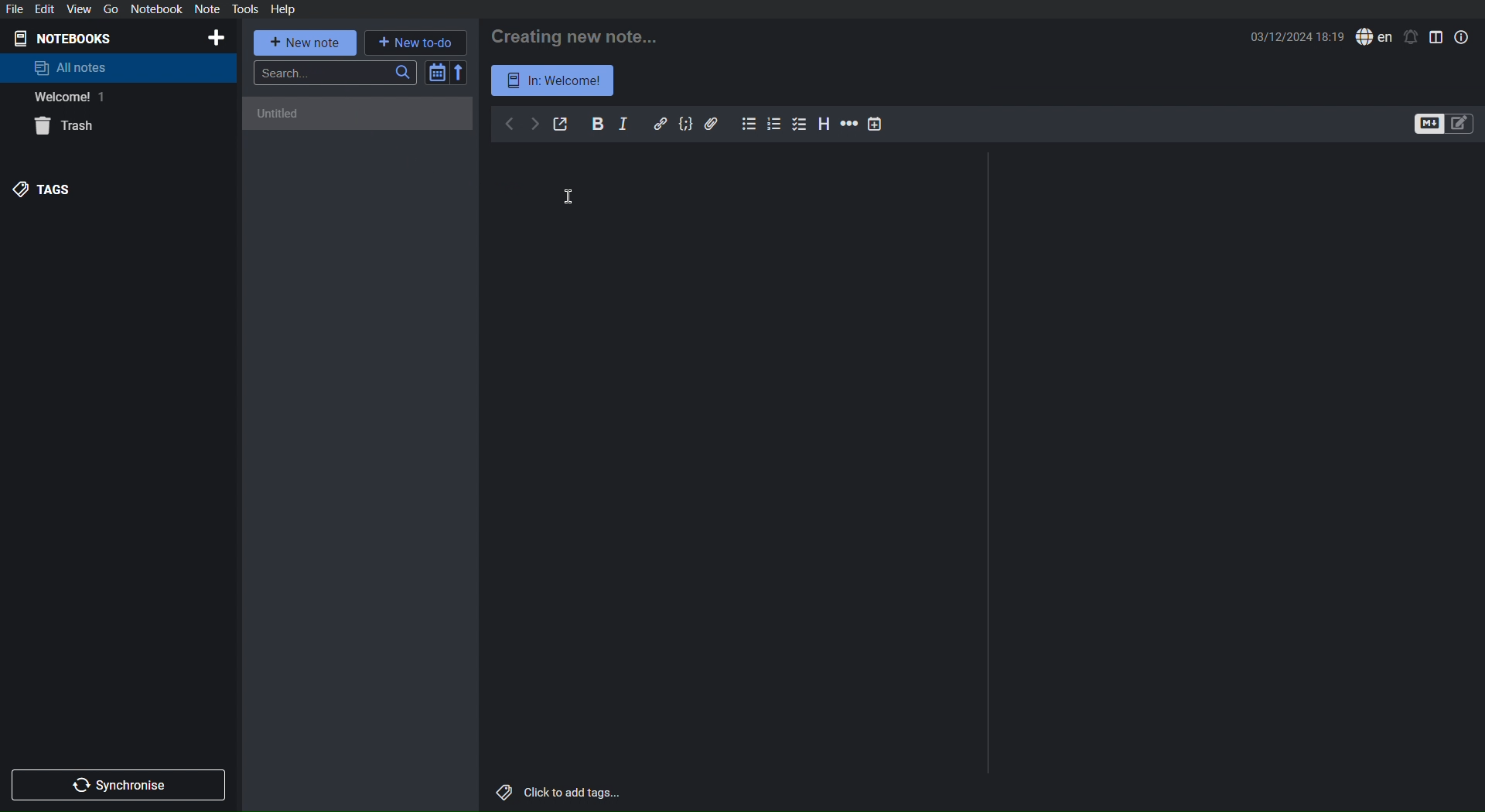 Image resolution: width=1485 pixels, height=812 pixels. Describe the element at coordinates (78, 9) in the screenshot. I see `View` at that location.